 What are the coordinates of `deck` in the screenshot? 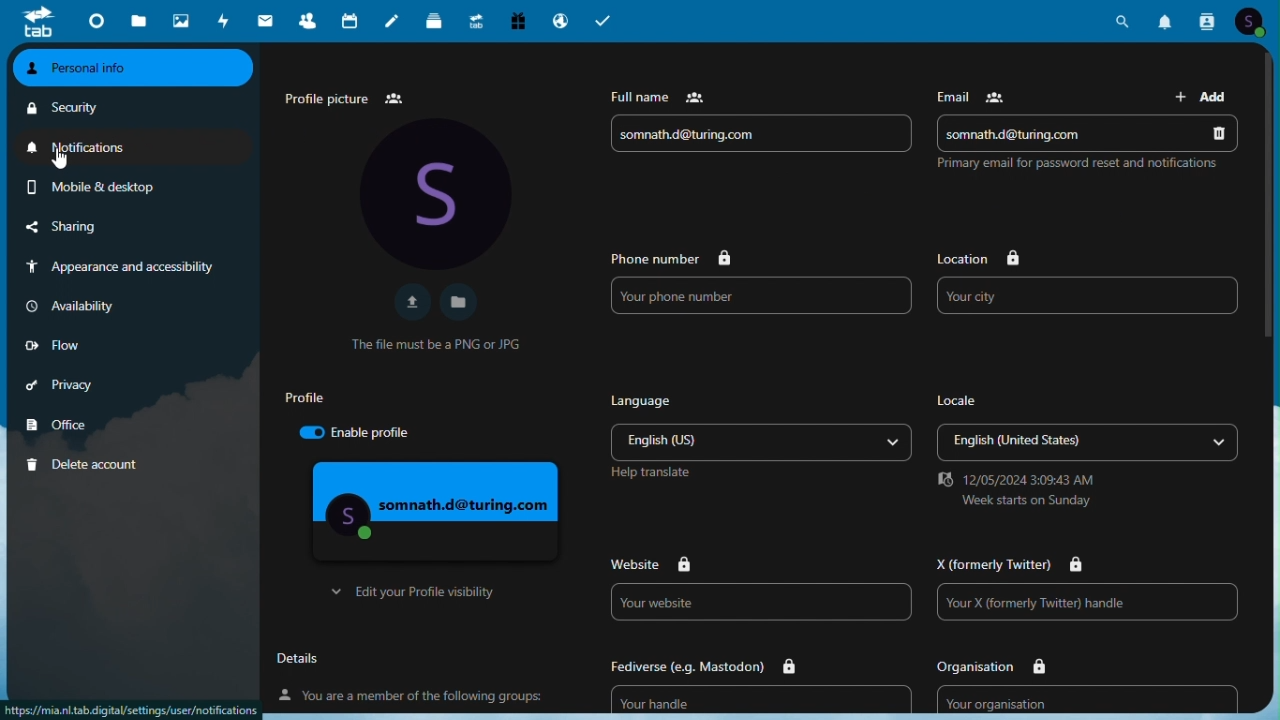 It's located at (436, 19).